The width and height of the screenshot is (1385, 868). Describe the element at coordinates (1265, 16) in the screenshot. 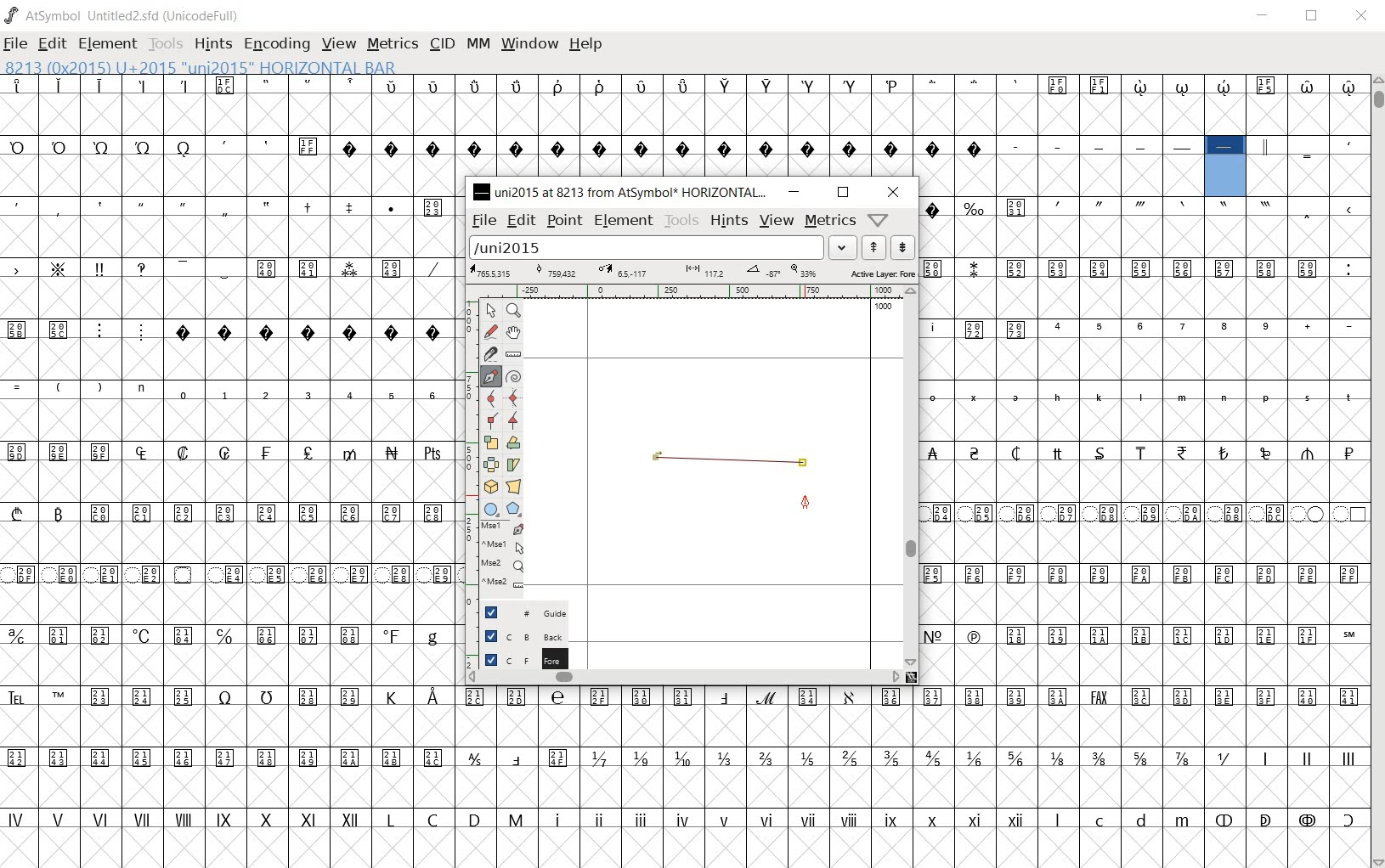

I see `MINIMIZE` at that location.